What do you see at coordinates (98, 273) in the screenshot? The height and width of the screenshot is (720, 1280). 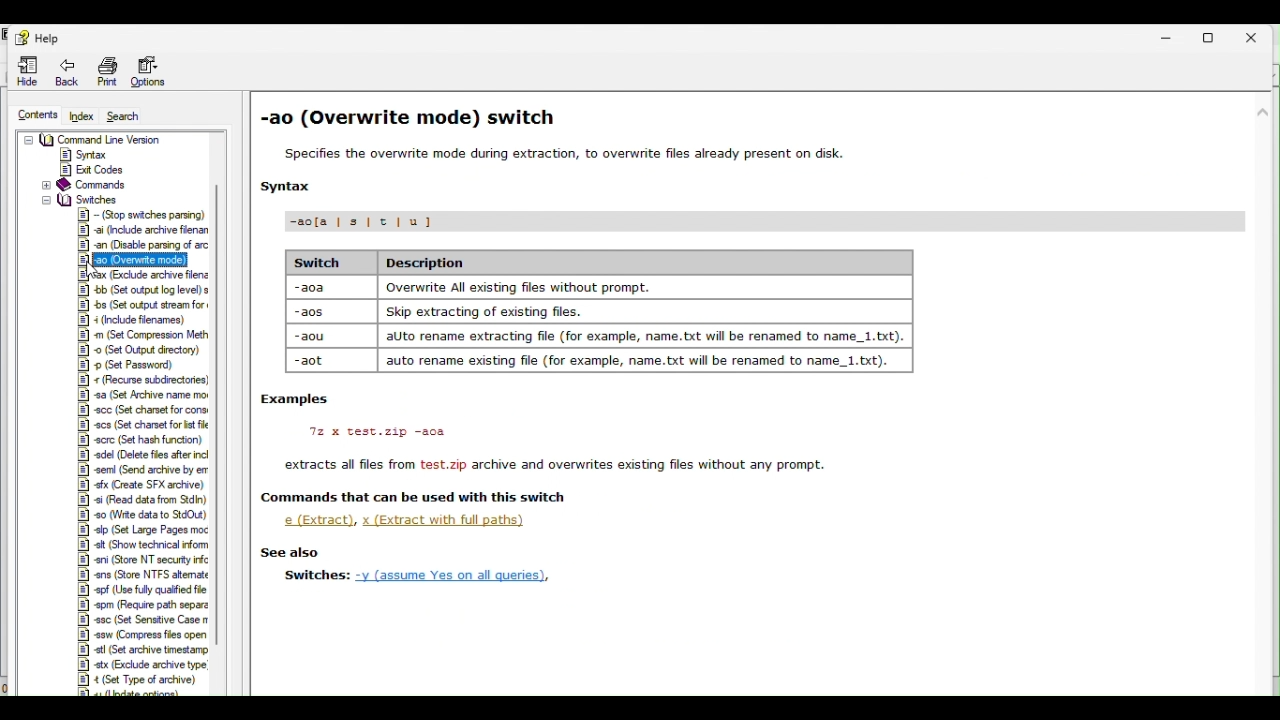 I see `Cursor` at bounding box center [98, 273].